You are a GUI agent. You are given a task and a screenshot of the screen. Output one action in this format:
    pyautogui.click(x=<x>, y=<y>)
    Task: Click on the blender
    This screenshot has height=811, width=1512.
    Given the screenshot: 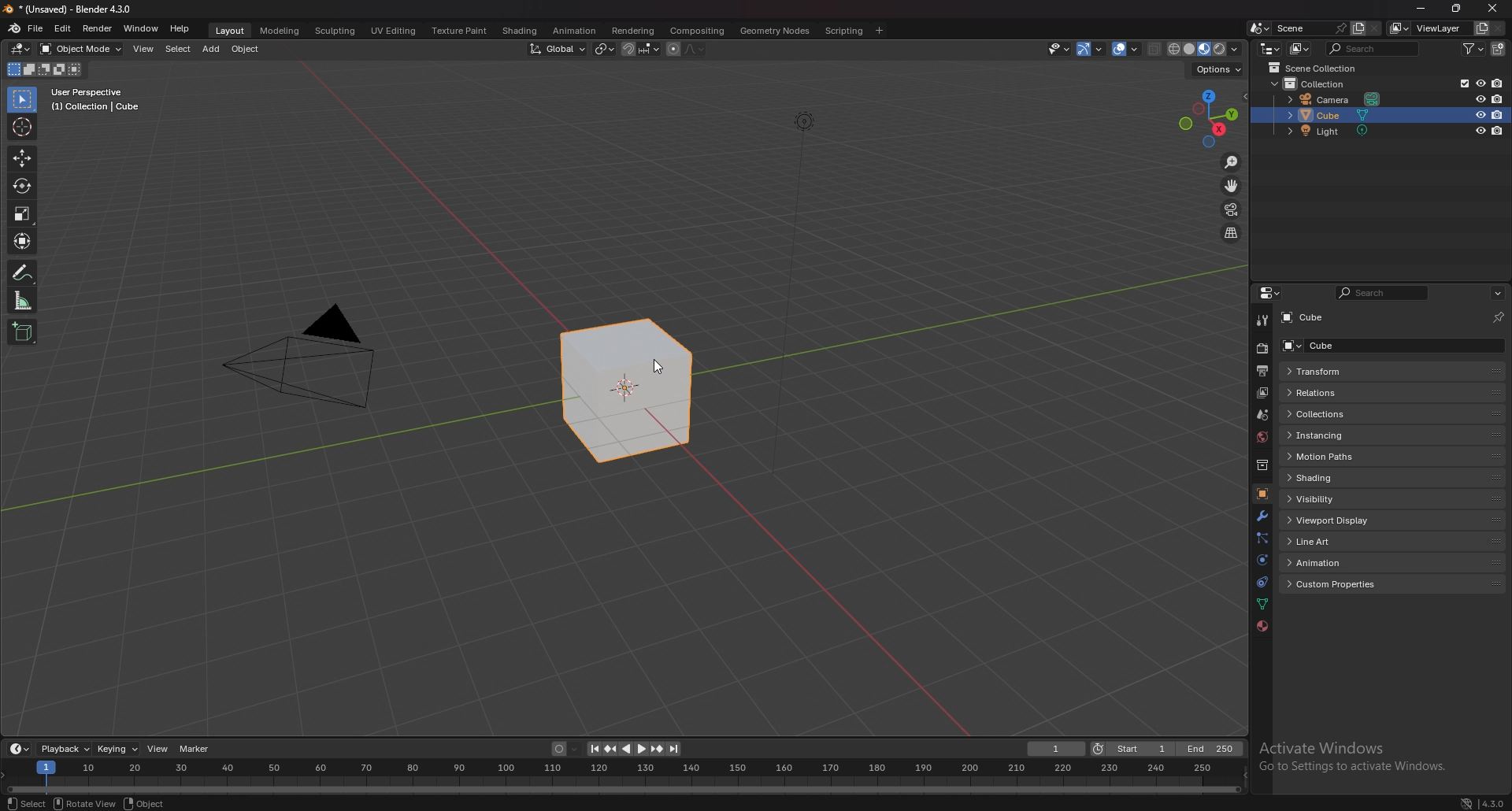 What is the action you would take?
    pyautogui.click(x=13, y=29)
    